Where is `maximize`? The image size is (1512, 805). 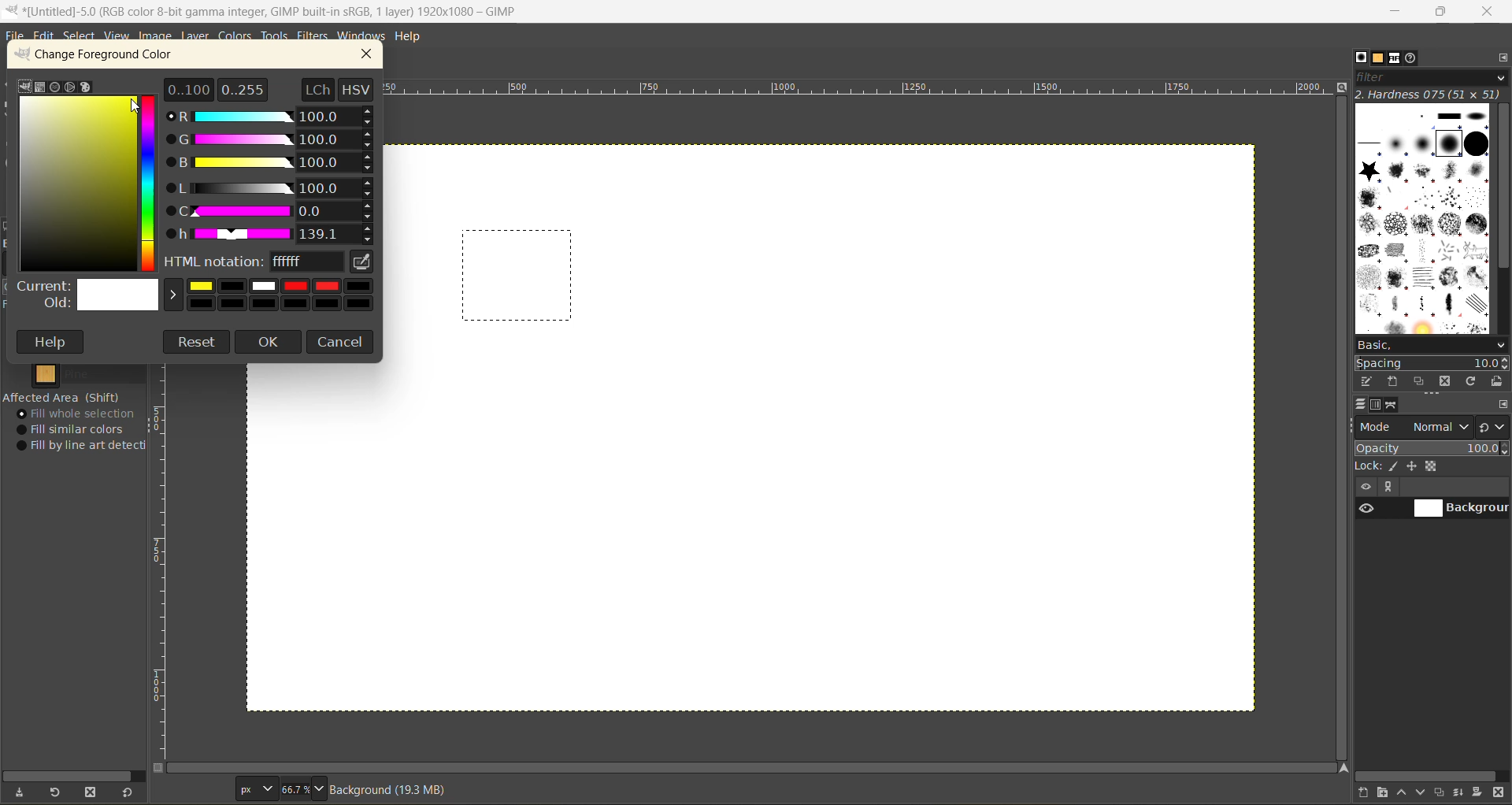 maximize is located at coordinates (1441, 14).